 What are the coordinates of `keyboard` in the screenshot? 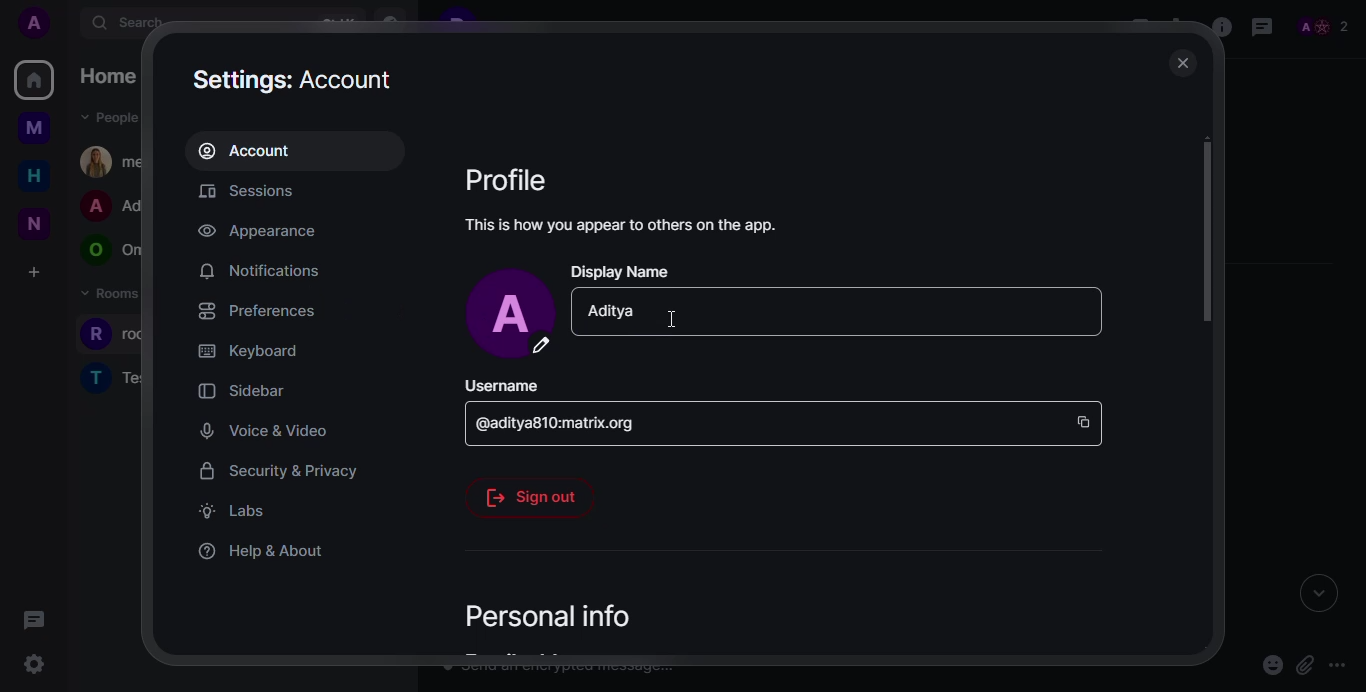 It's located at (248, 351).